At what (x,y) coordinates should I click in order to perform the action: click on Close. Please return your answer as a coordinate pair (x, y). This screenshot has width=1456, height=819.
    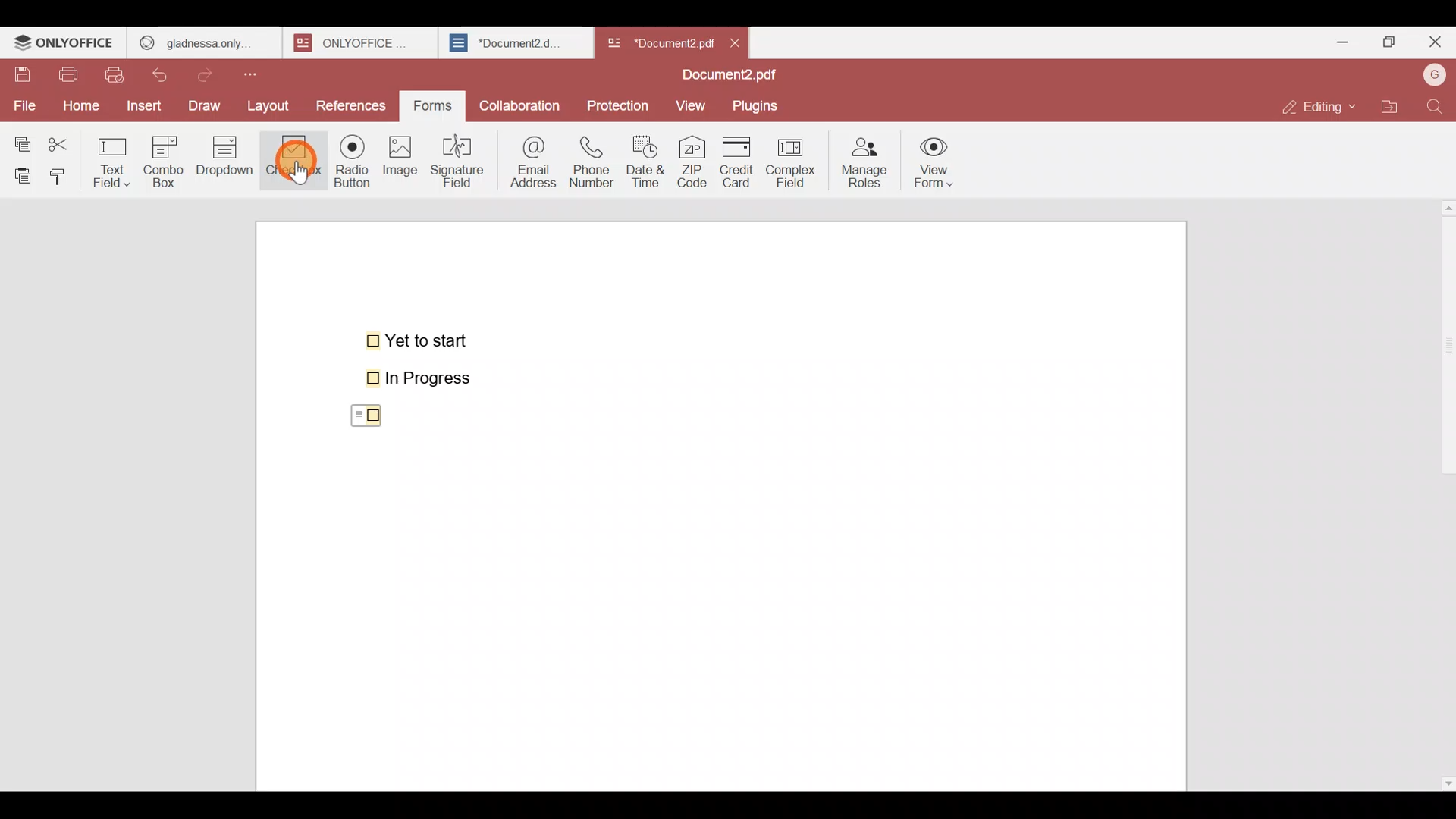
    Looking at the image, I should click on (742, 42).